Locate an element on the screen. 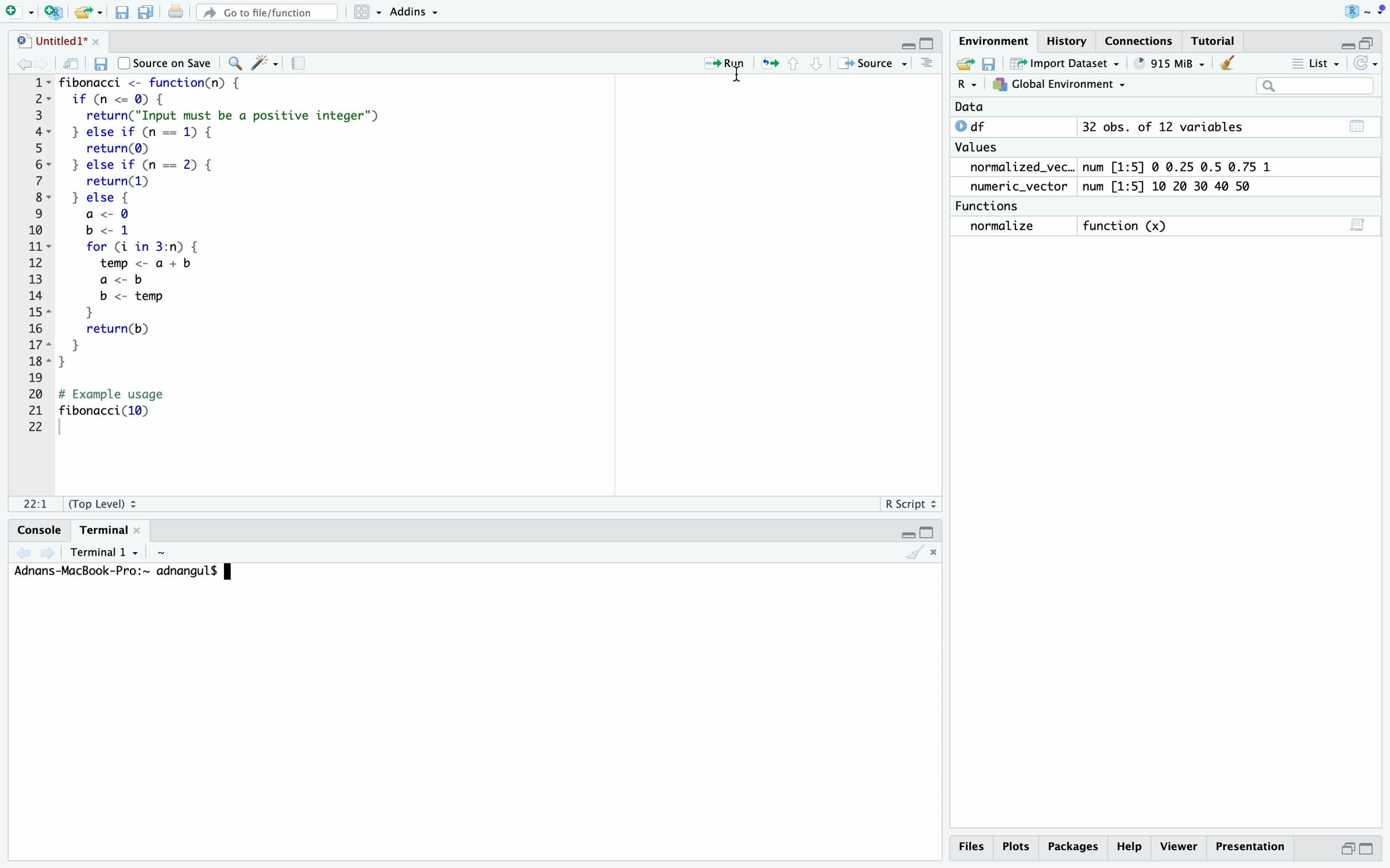 Image resolution: width=1390 pixels, height=868 pixels. refresh the list of objects is located at coordinates (1370, 64).